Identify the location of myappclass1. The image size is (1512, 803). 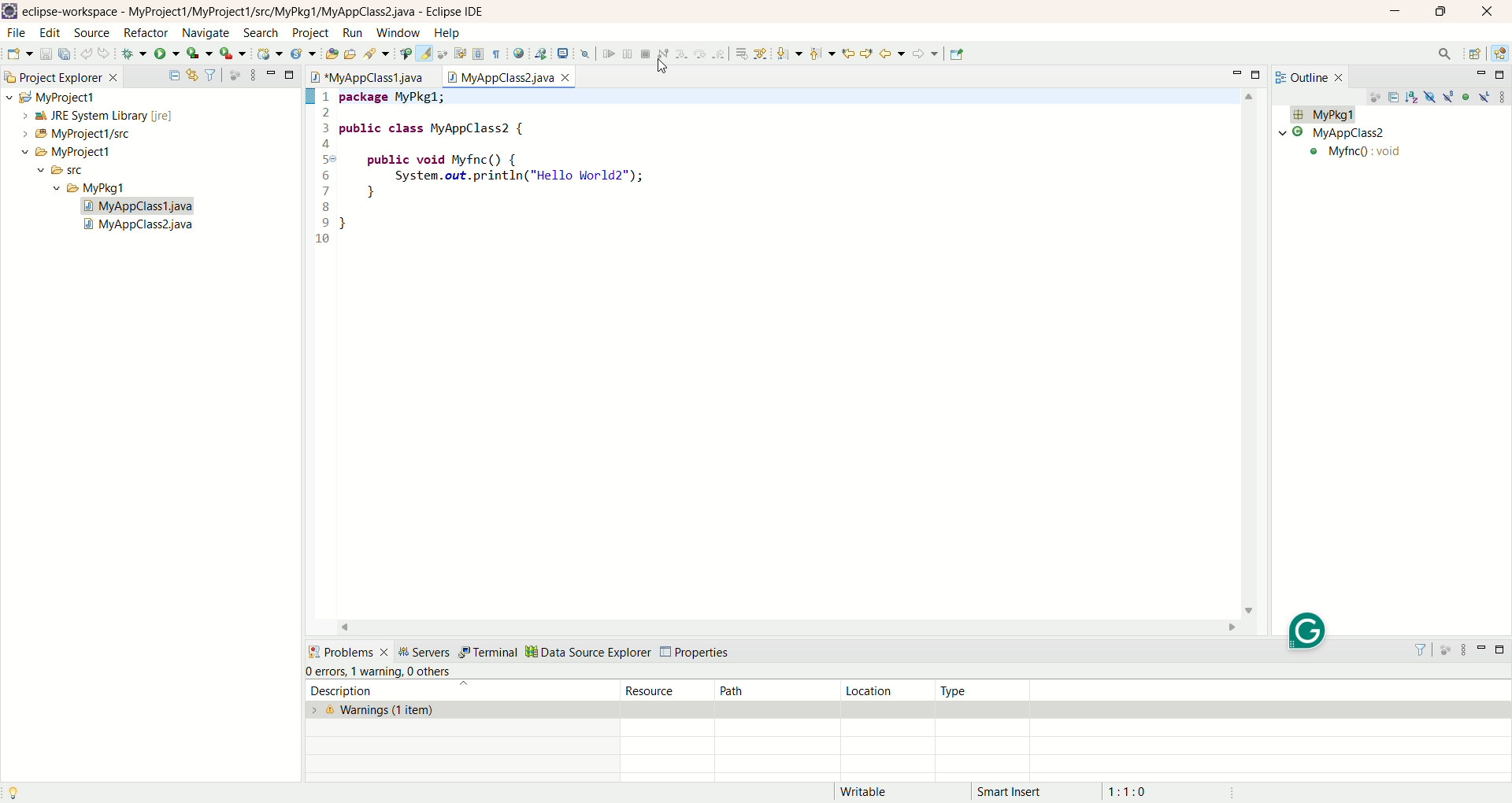
(1336, 133).